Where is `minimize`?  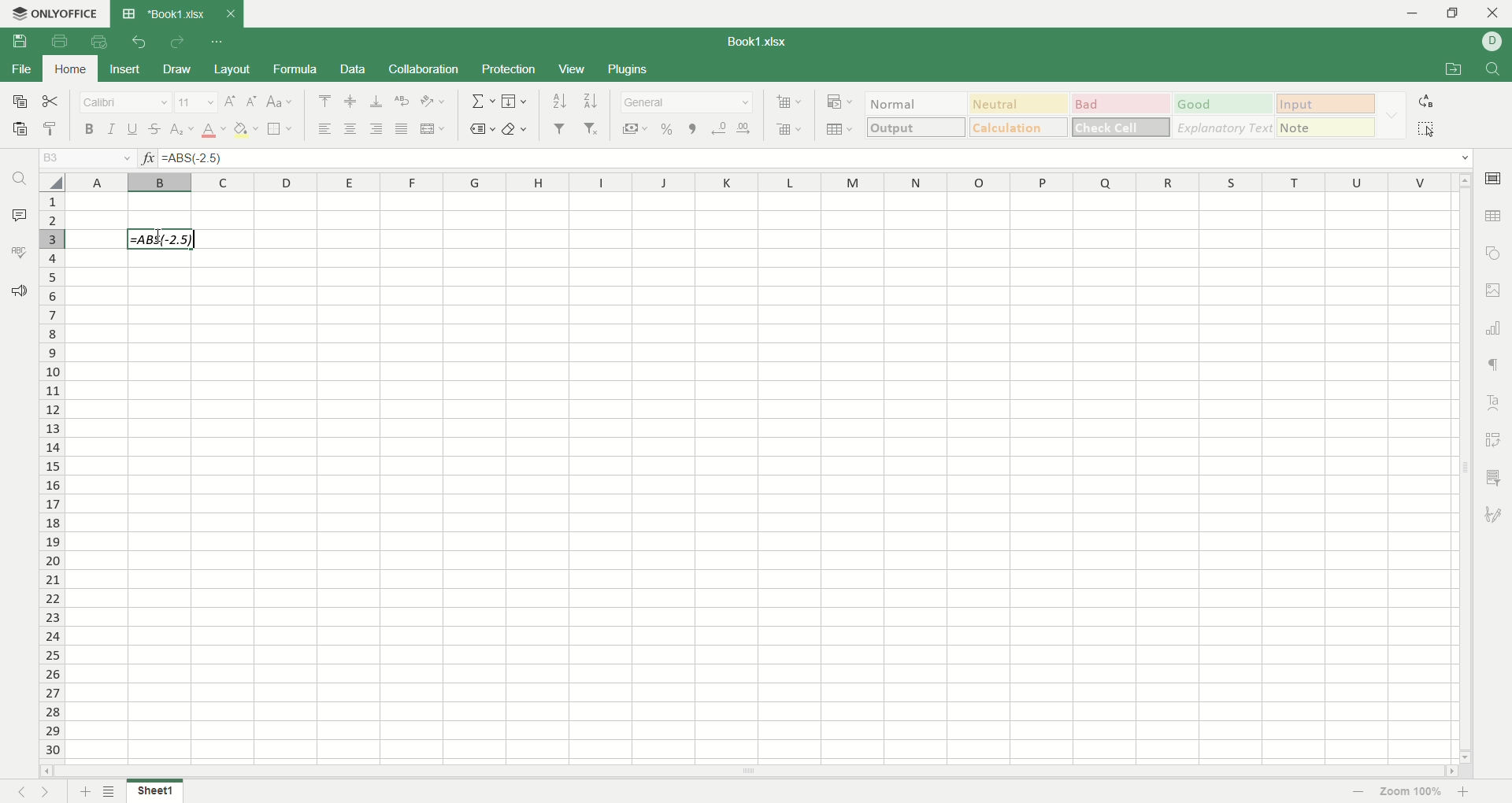 minimize is located at coordinates (1416, 13).